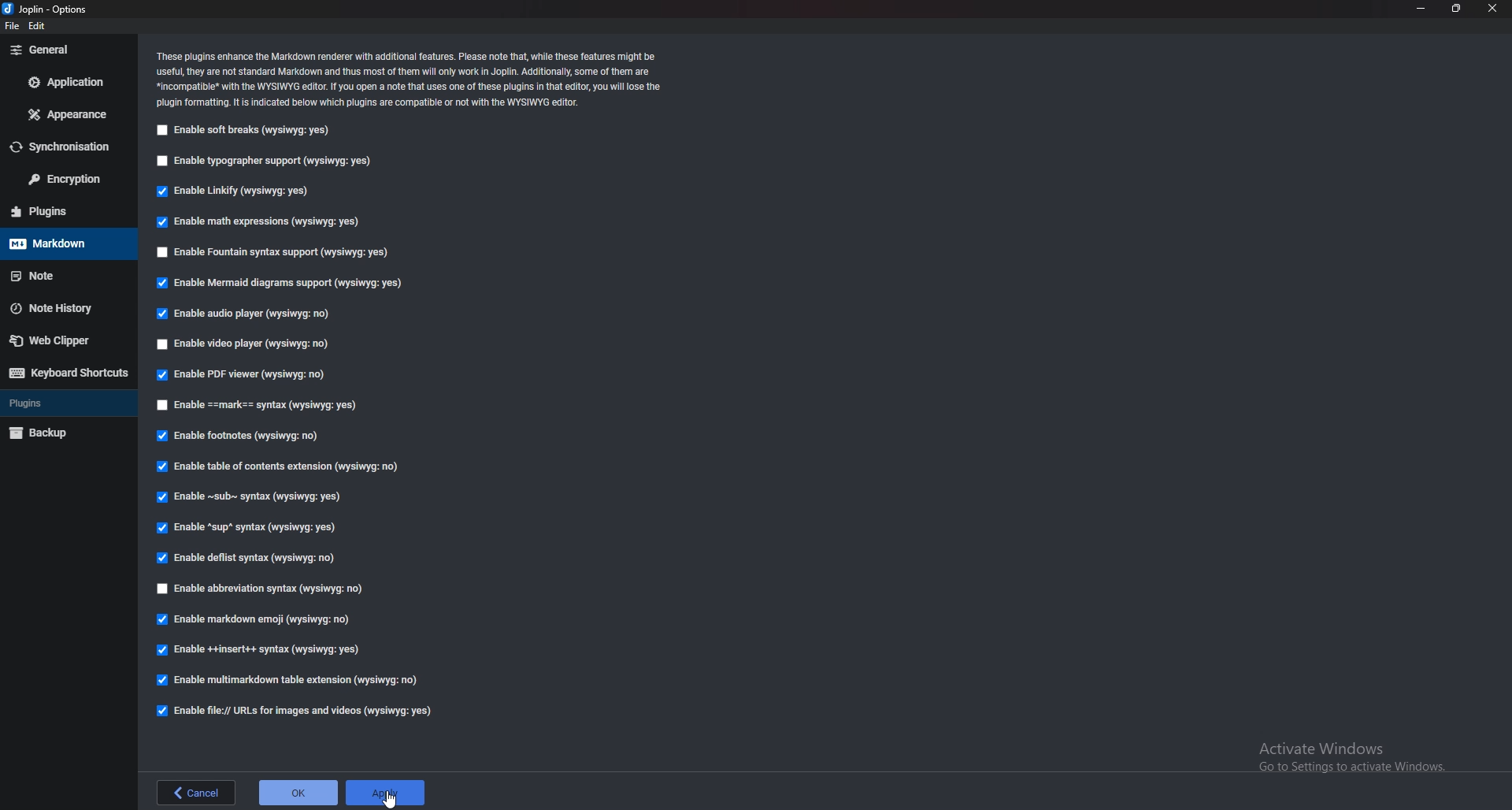  Describe the element at coordinates (199, 792) in the screenshot. I see `back` at that location.